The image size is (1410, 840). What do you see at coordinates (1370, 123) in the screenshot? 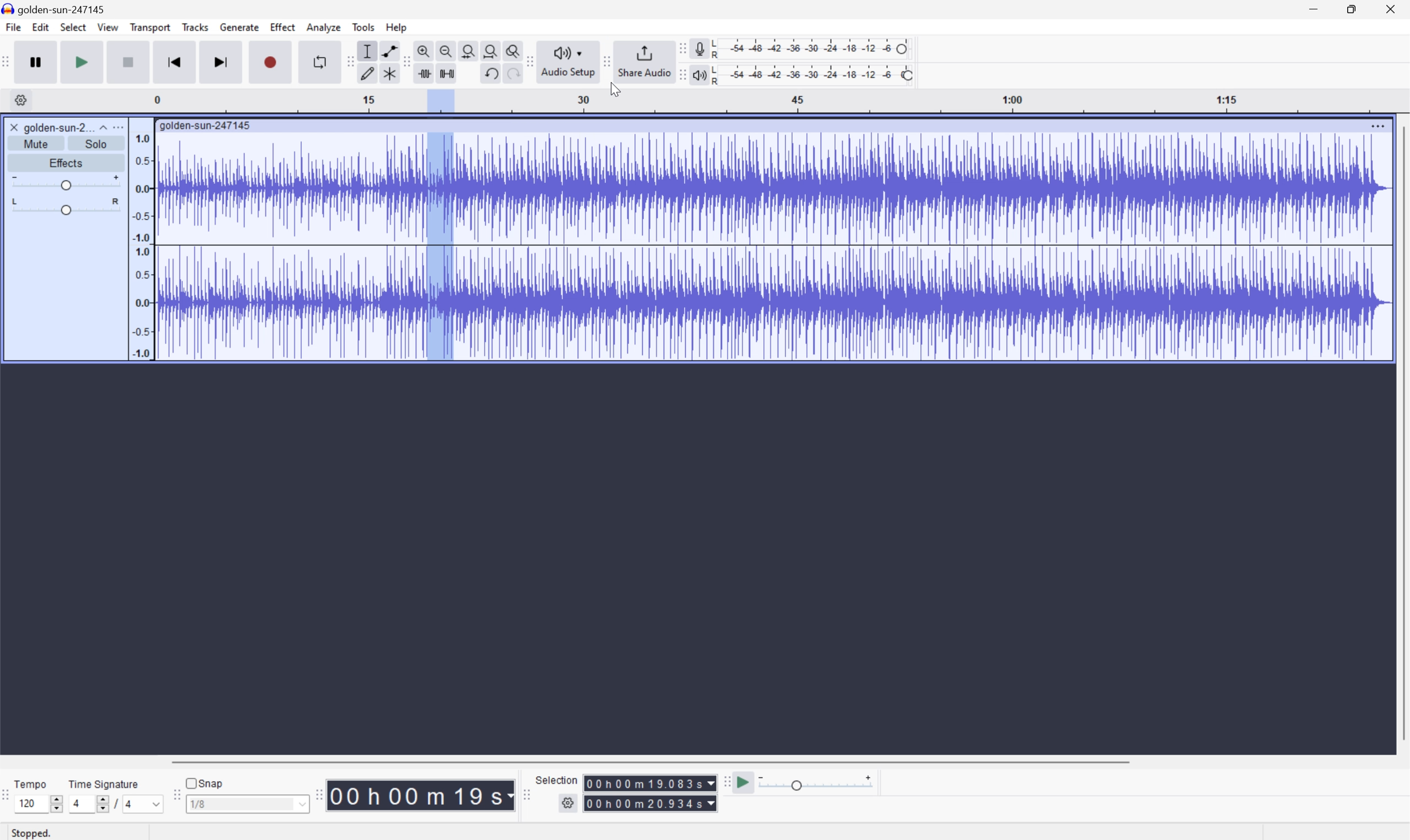
I see `More` at bounding box center [1370, 123].